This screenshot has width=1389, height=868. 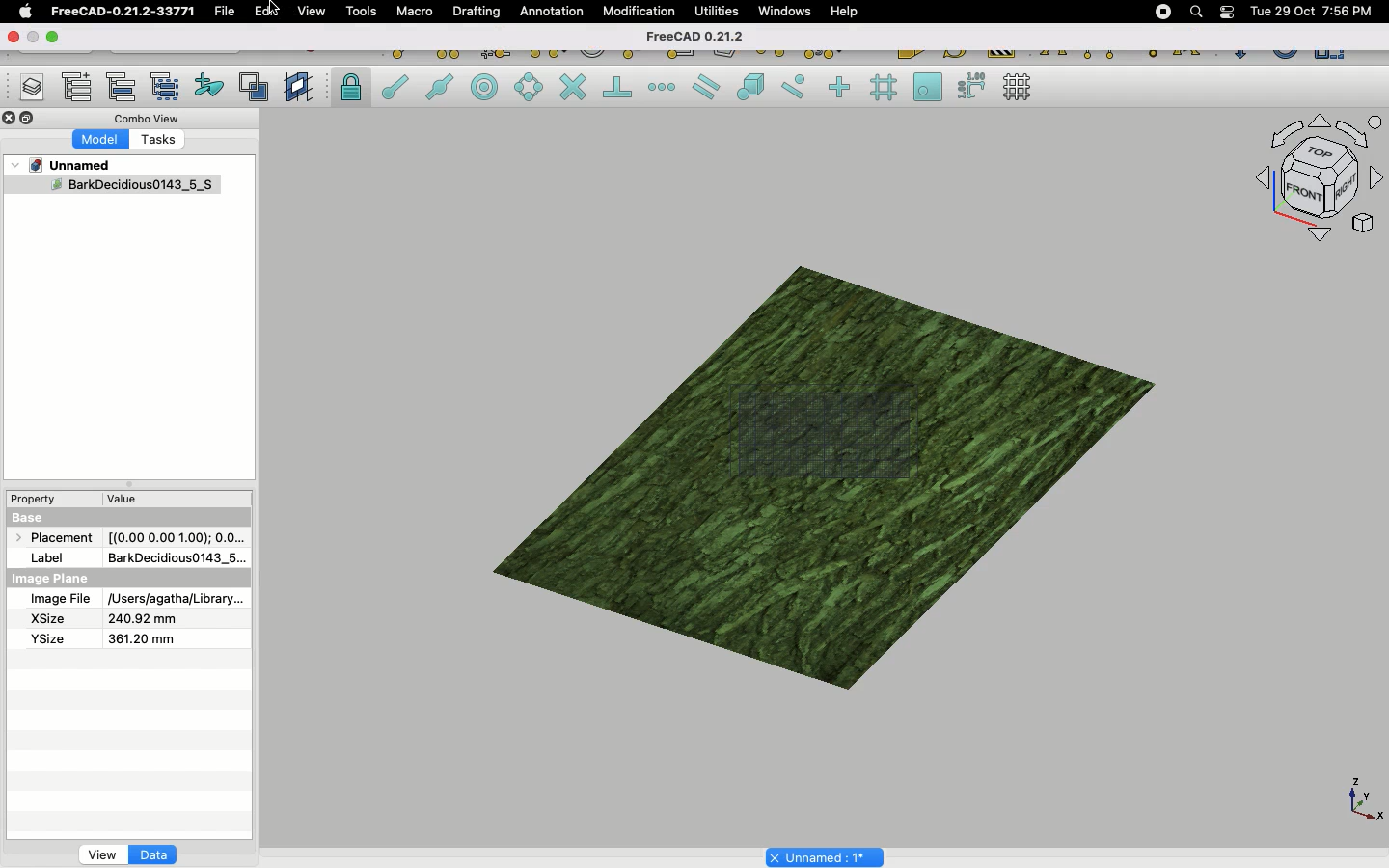 What do you see at coordinates (789, 14) in the screenshot?
I see `Windows` at bounding box center [789, 14].